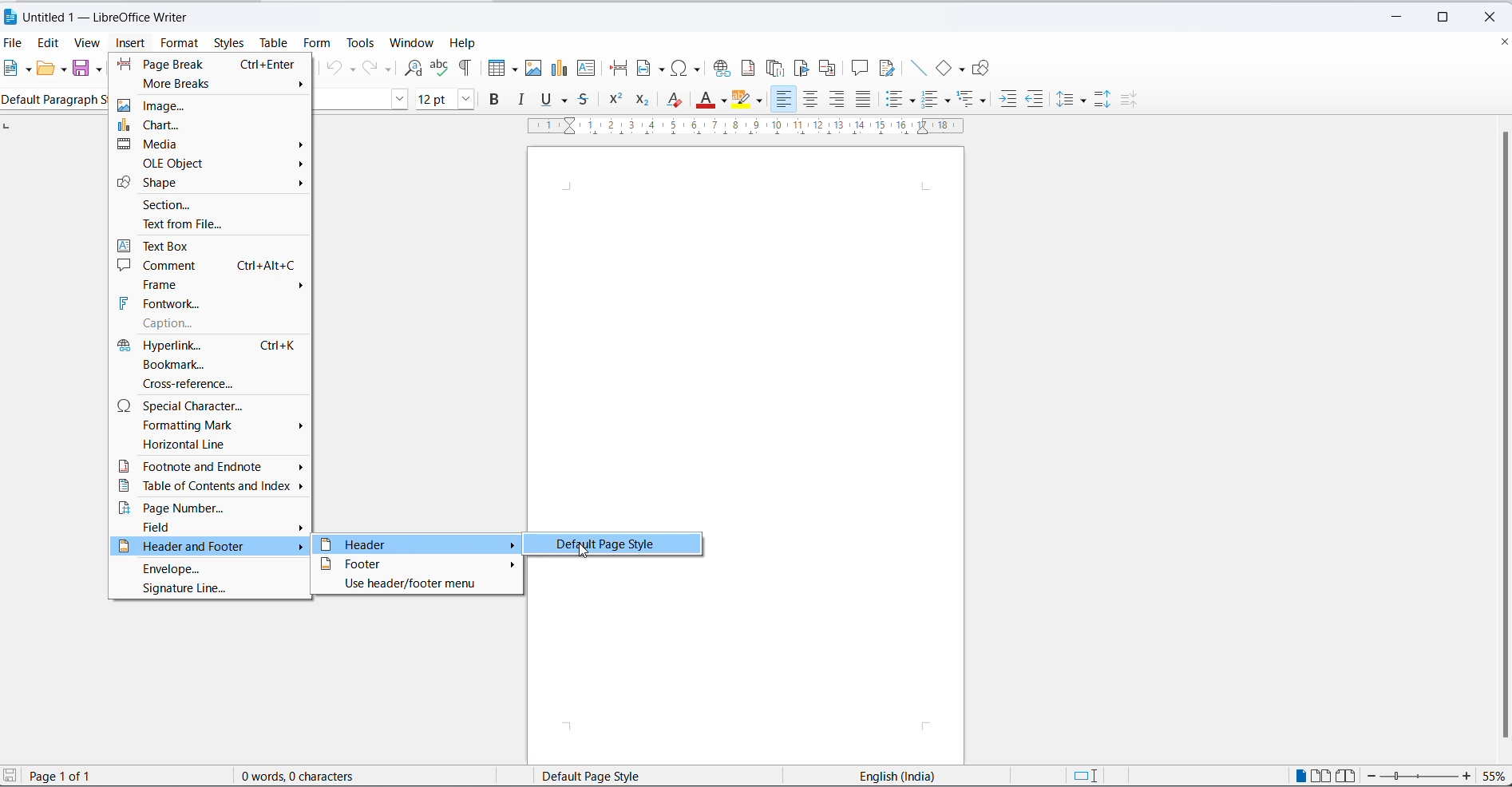  I want to click on decrease zoom, so click(1375, 776).